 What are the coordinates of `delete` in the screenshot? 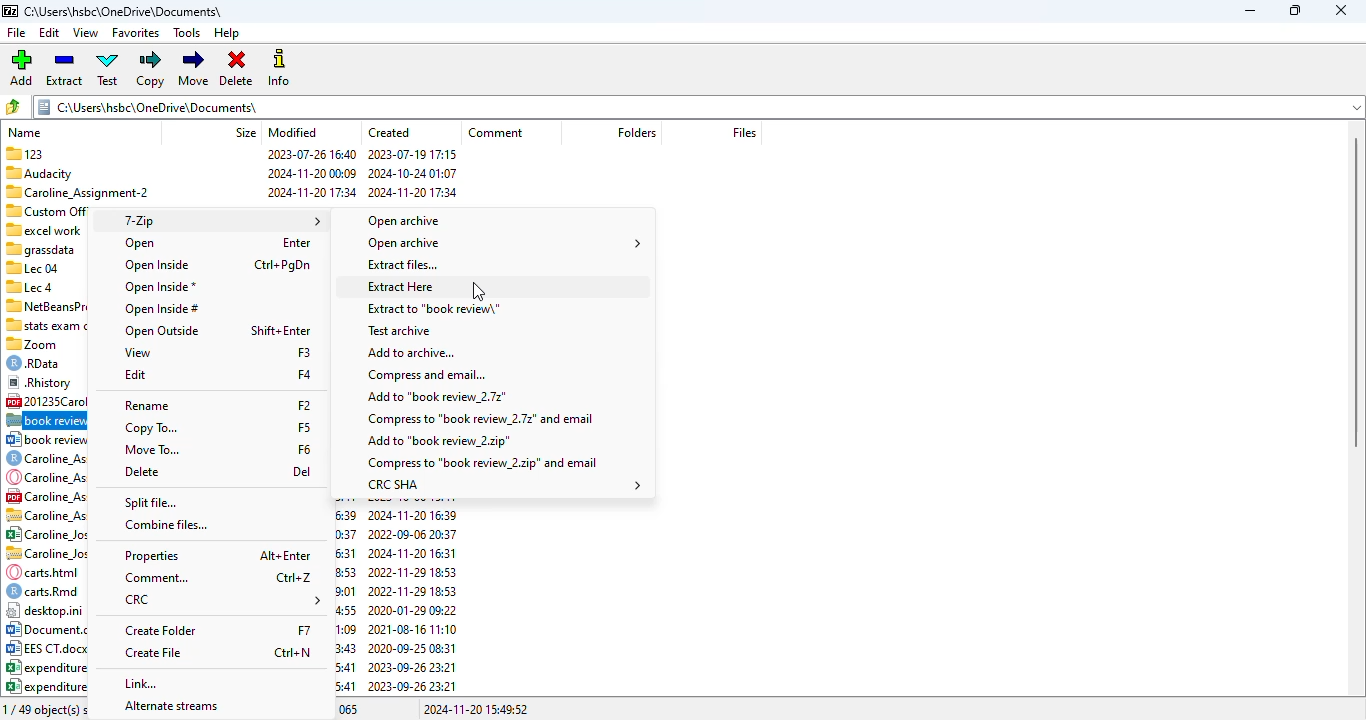 It's located at (236, 68).